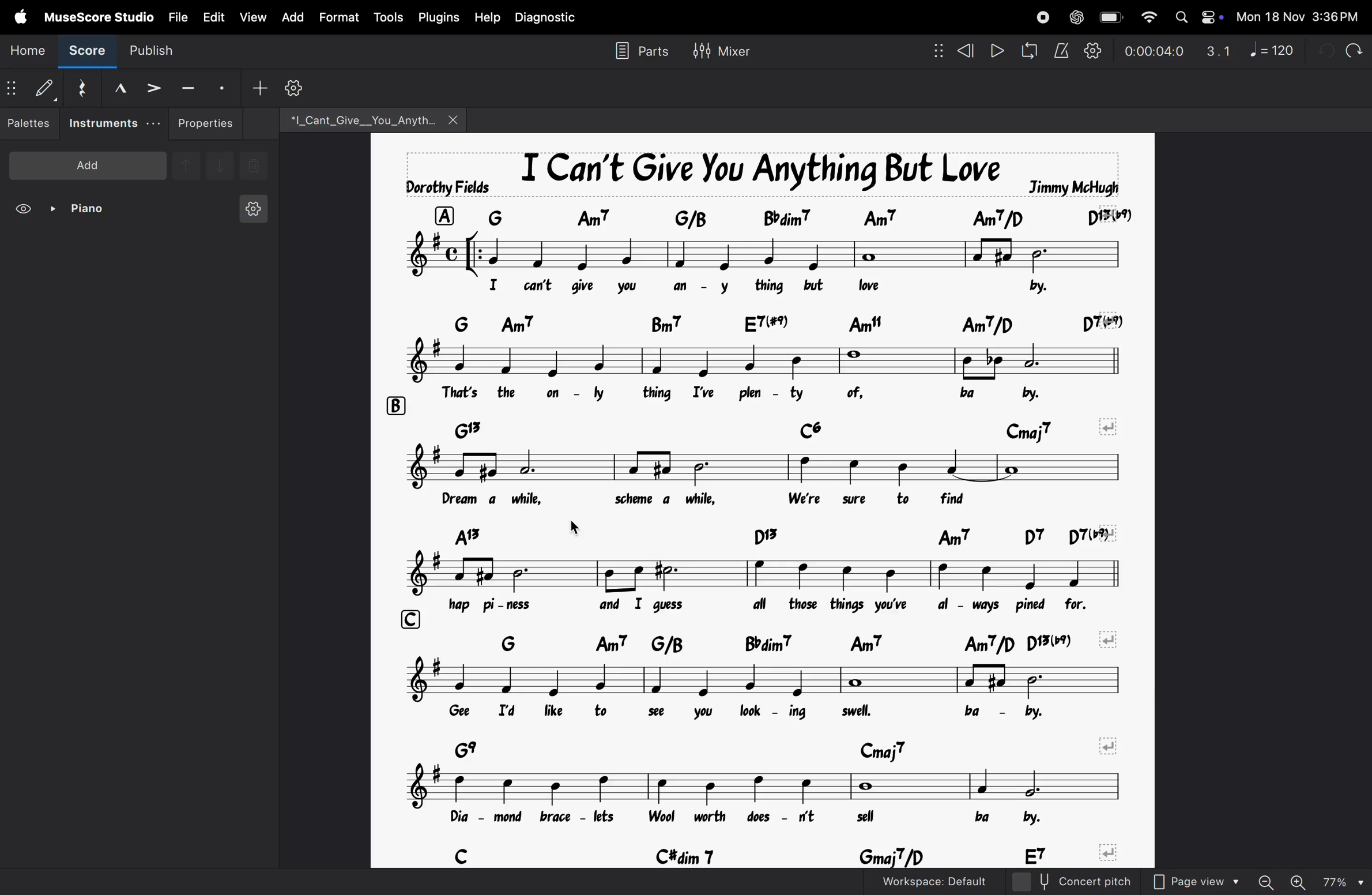 This screenshot has width=1372, height=895. Describe the element at coordinates (772, 466) in the screenshot. I see `notes` at that location.